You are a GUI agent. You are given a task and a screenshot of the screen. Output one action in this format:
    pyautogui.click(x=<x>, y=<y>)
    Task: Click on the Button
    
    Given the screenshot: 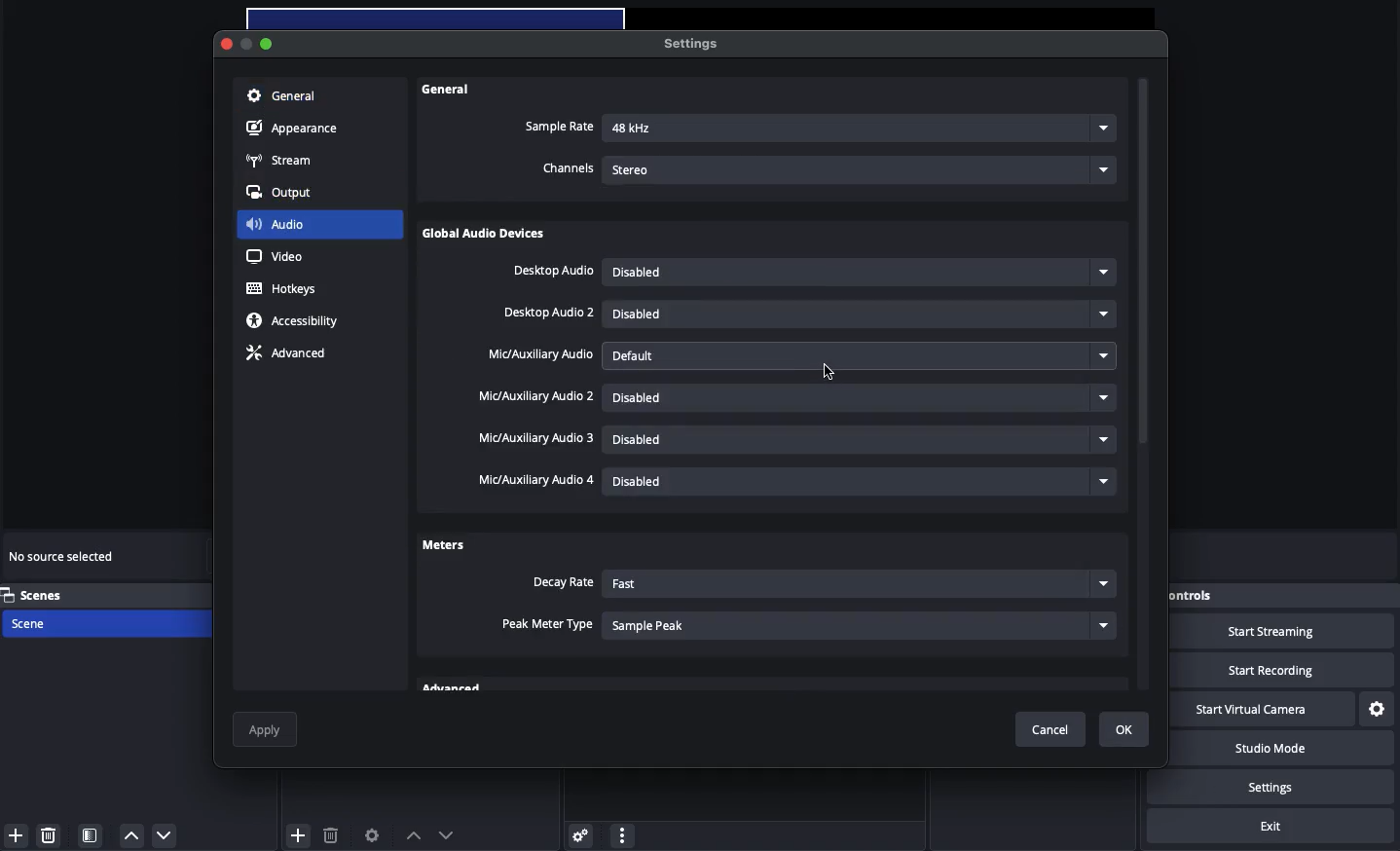 What is the action you would take?
    pyautogui.click(x=250, y=46)
    